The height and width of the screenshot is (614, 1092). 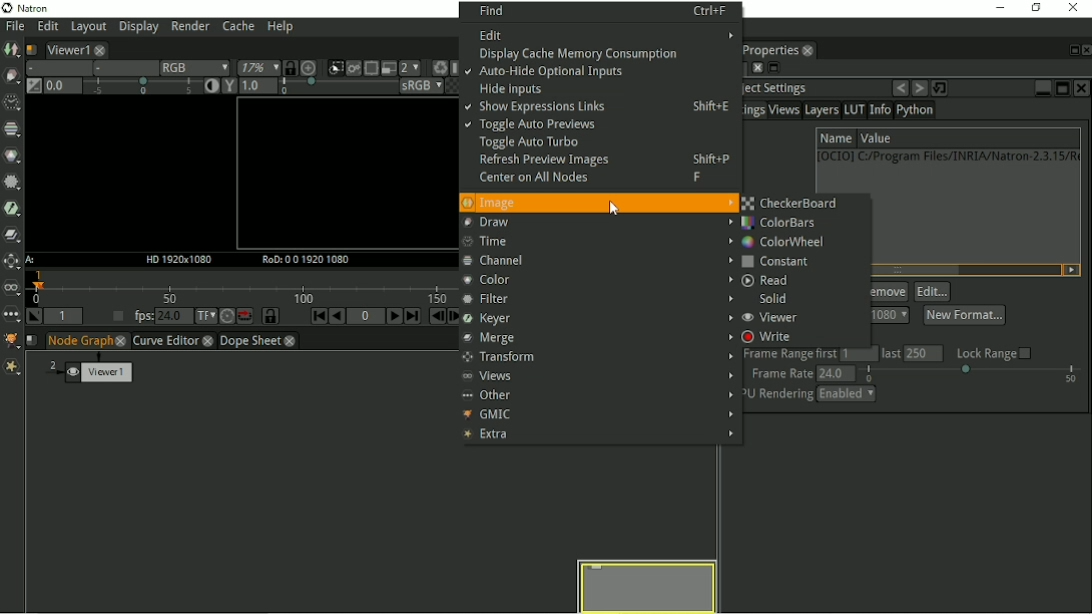 I want to click on Switch between neutral 1.0 gain f stop and the previous setting, so click(x=32, y=87).